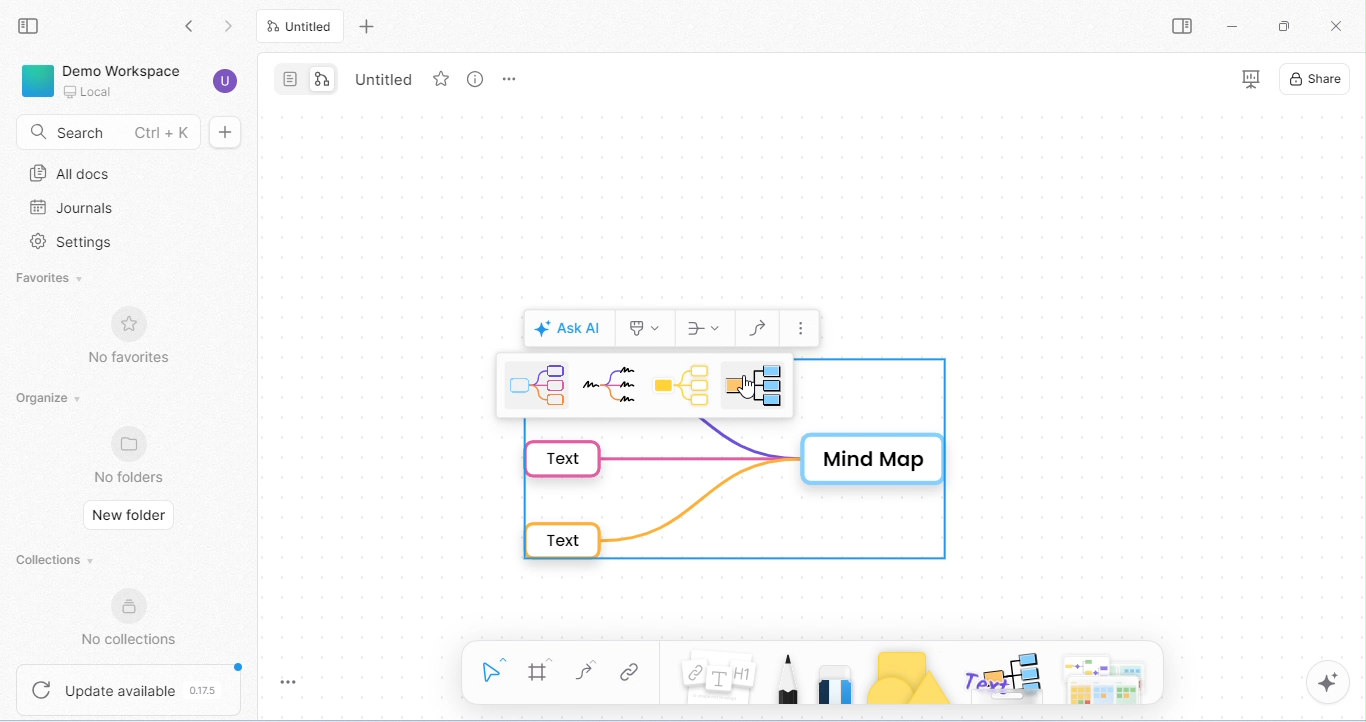 The image size is (1366, 722). What do you see at coordinates (130, 619) in the screenshot?
I see `no collections` at bounding box center [130, 619].